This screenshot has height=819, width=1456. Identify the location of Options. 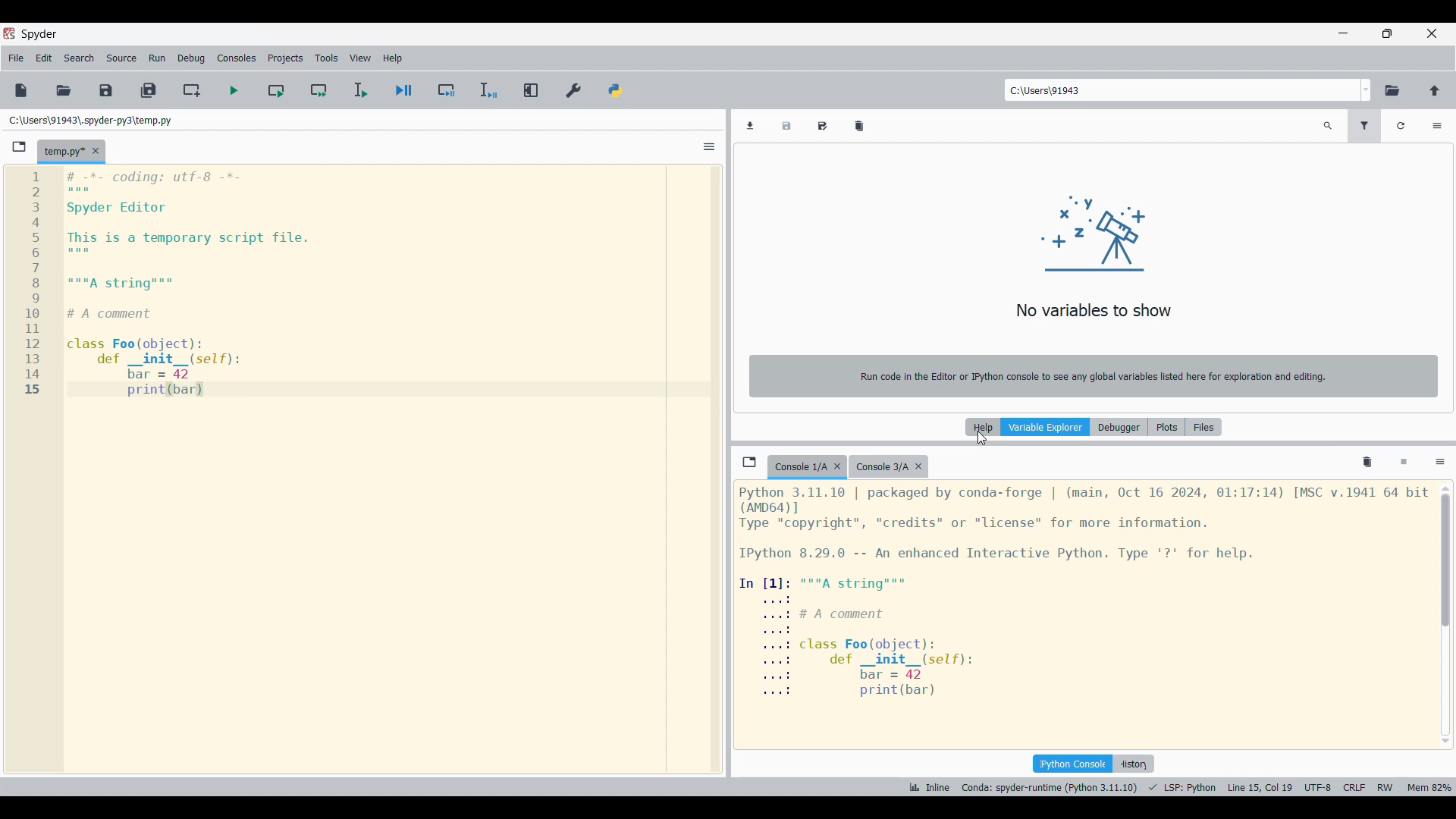
(1438, 126).